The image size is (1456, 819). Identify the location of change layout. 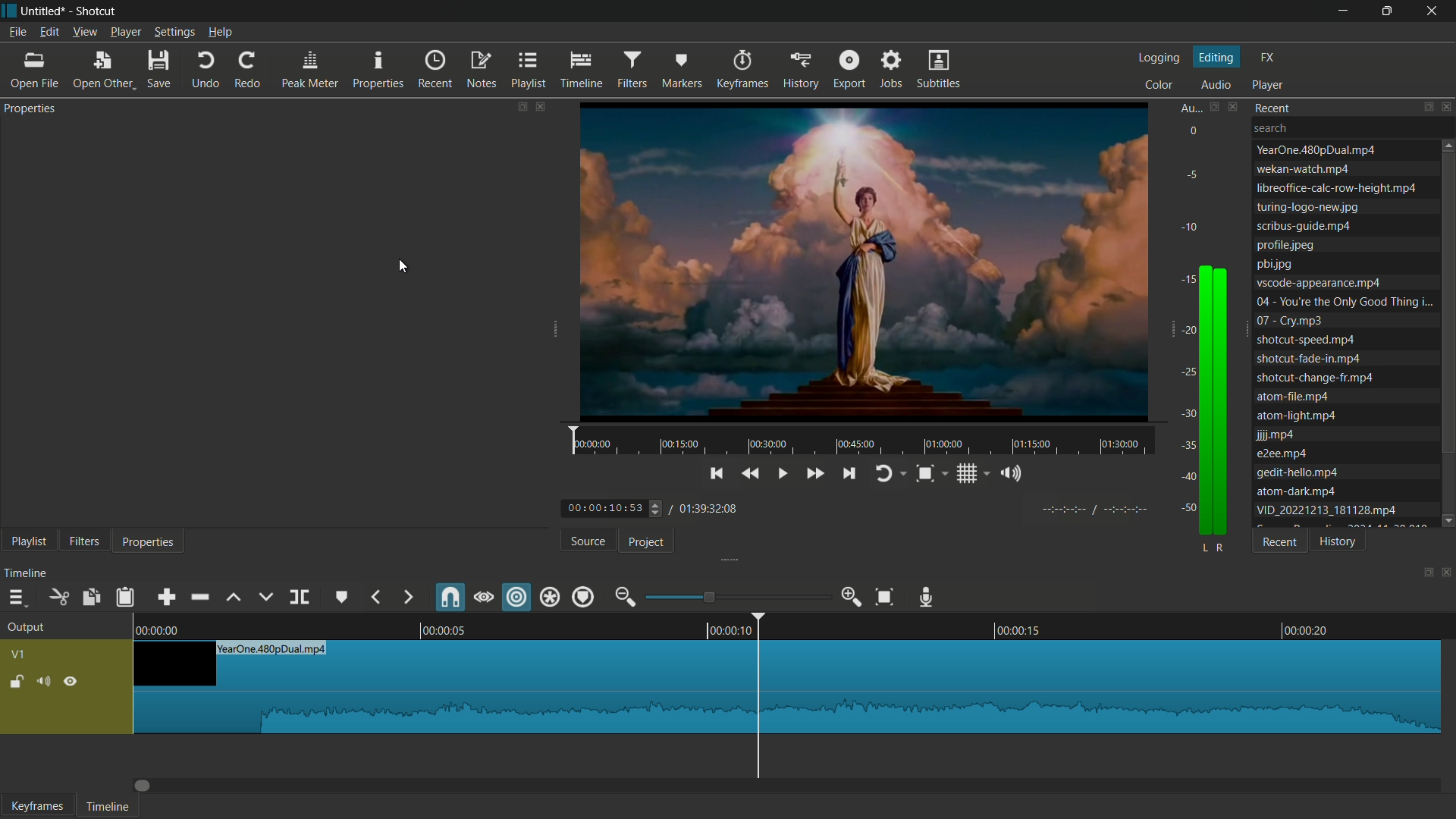
(1423, 574).